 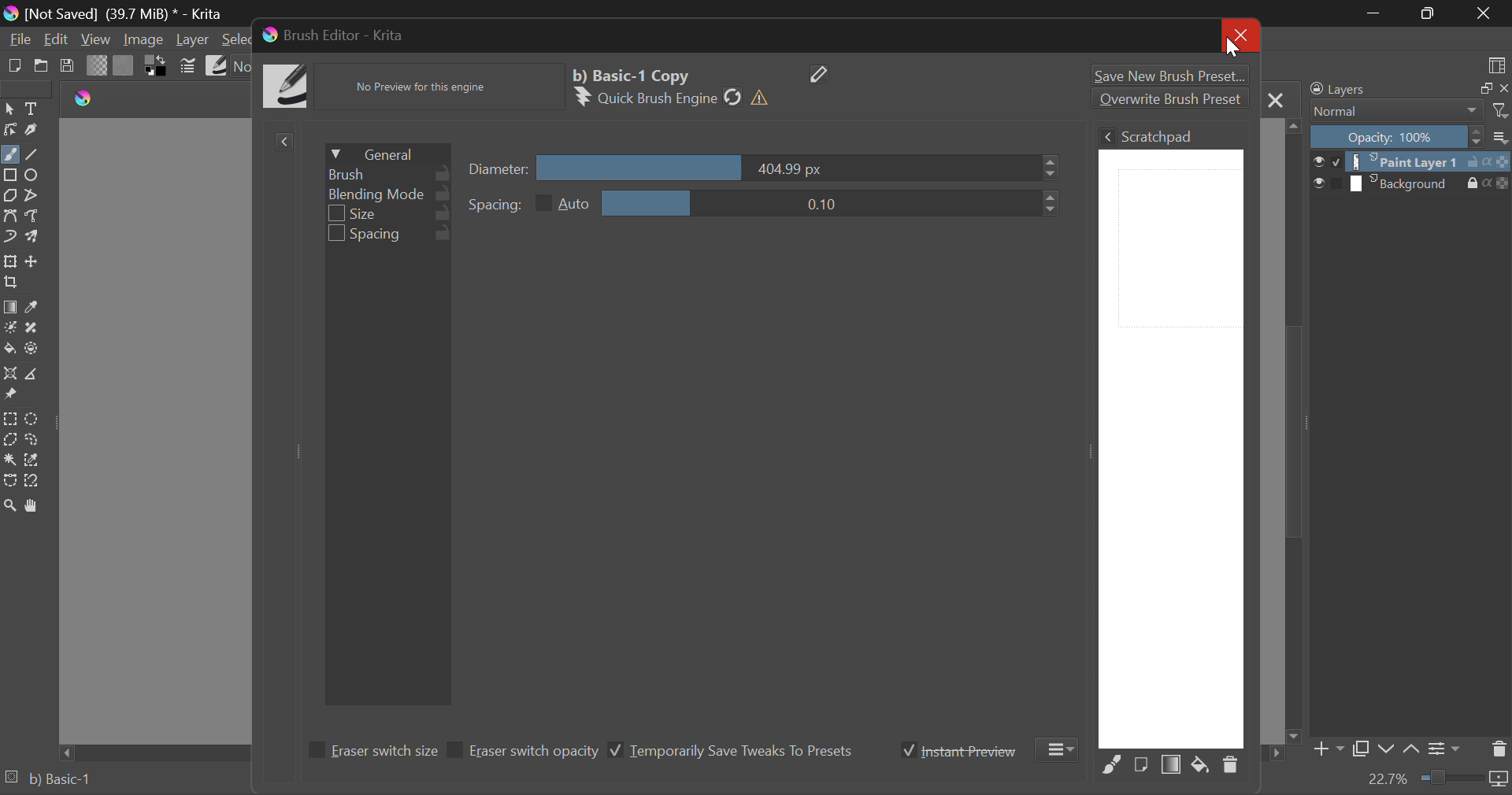 I want to click on Pattern, so click(x=124, y=65).